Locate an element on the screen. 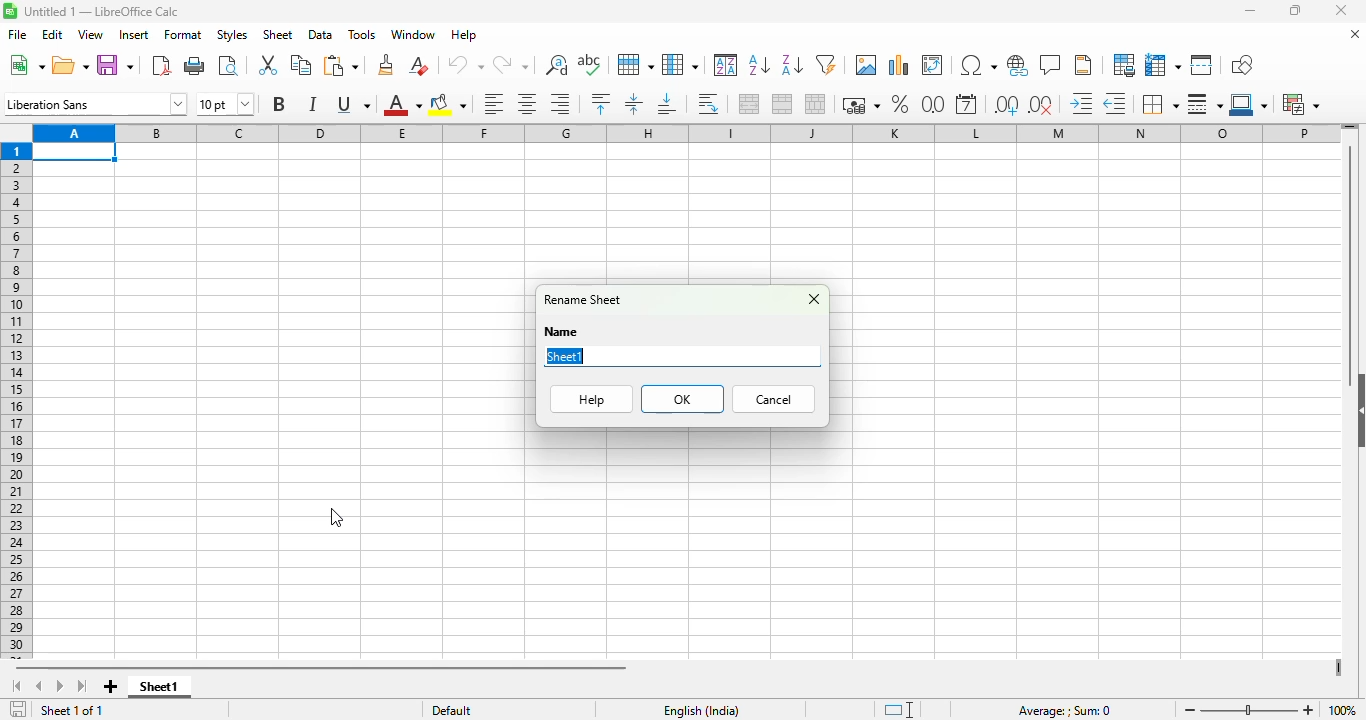 The image size is (1366, 720). Average: ; Sum: 0 is located at coordinates (1064, 711).